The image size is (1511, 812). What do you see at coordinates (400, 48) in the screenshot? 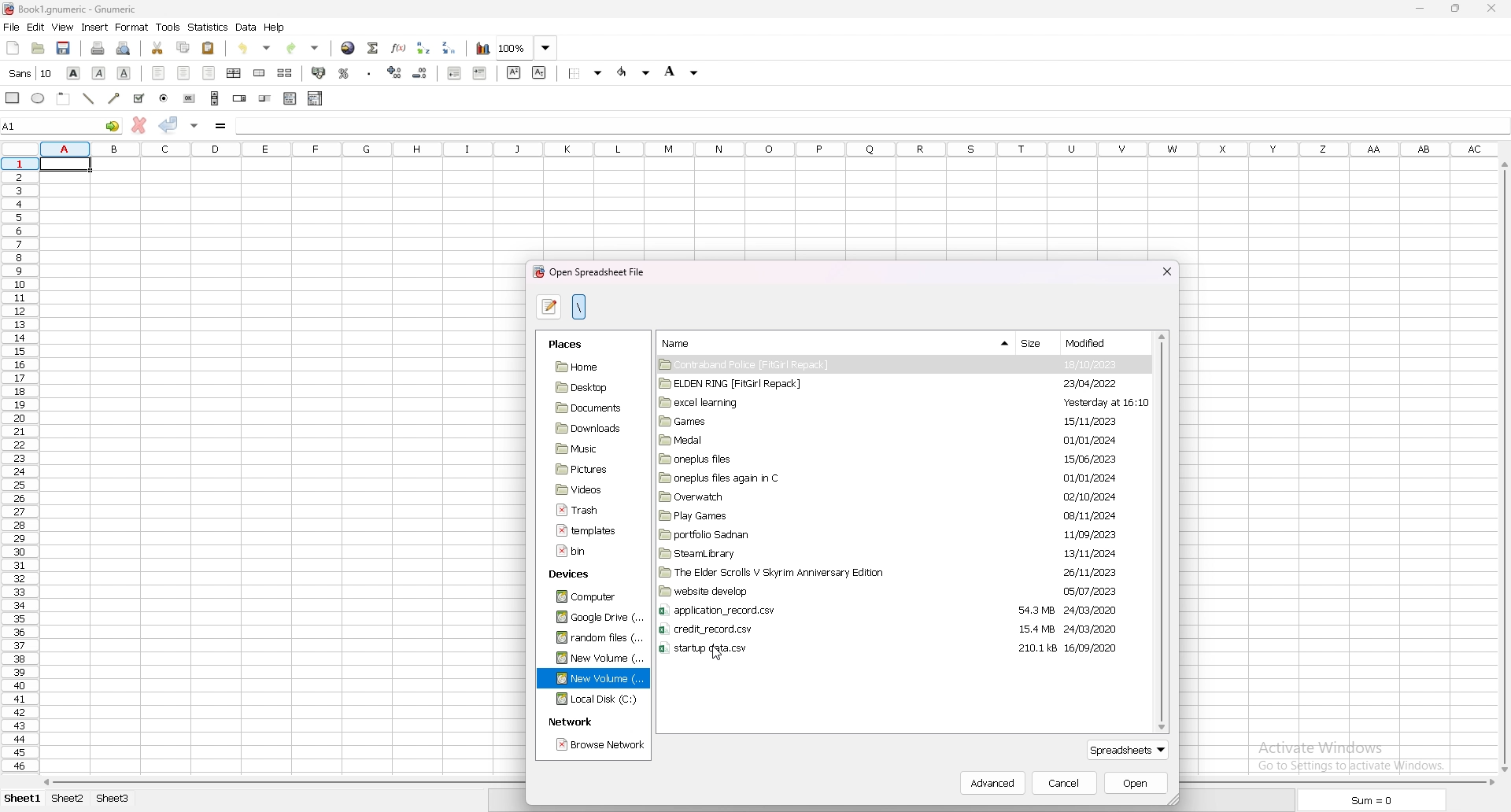
I see `function` at bounding box center [400, 48].